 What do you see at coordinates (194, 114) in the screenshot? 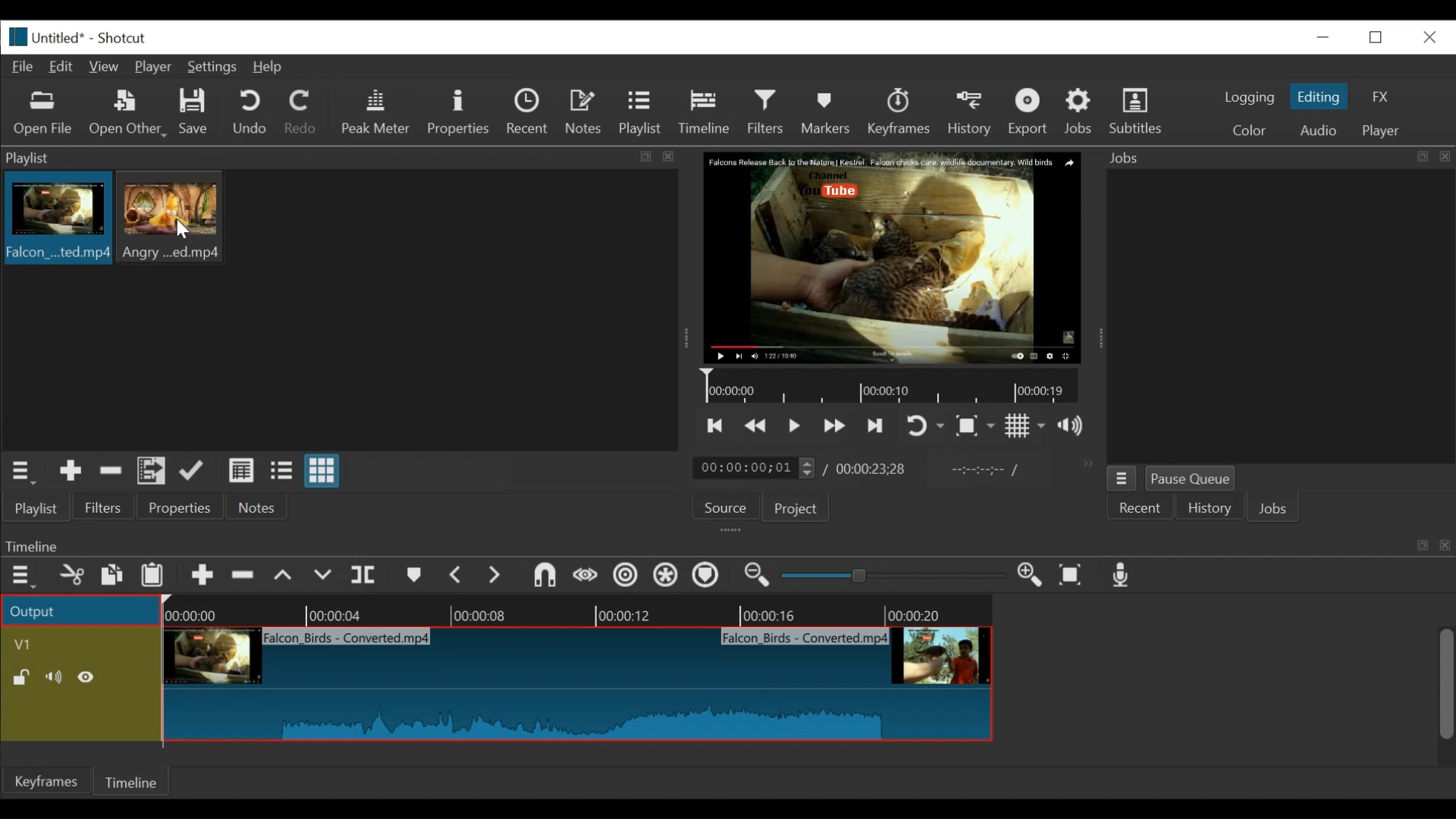
I see `Save` at bounding box center [194, 114].